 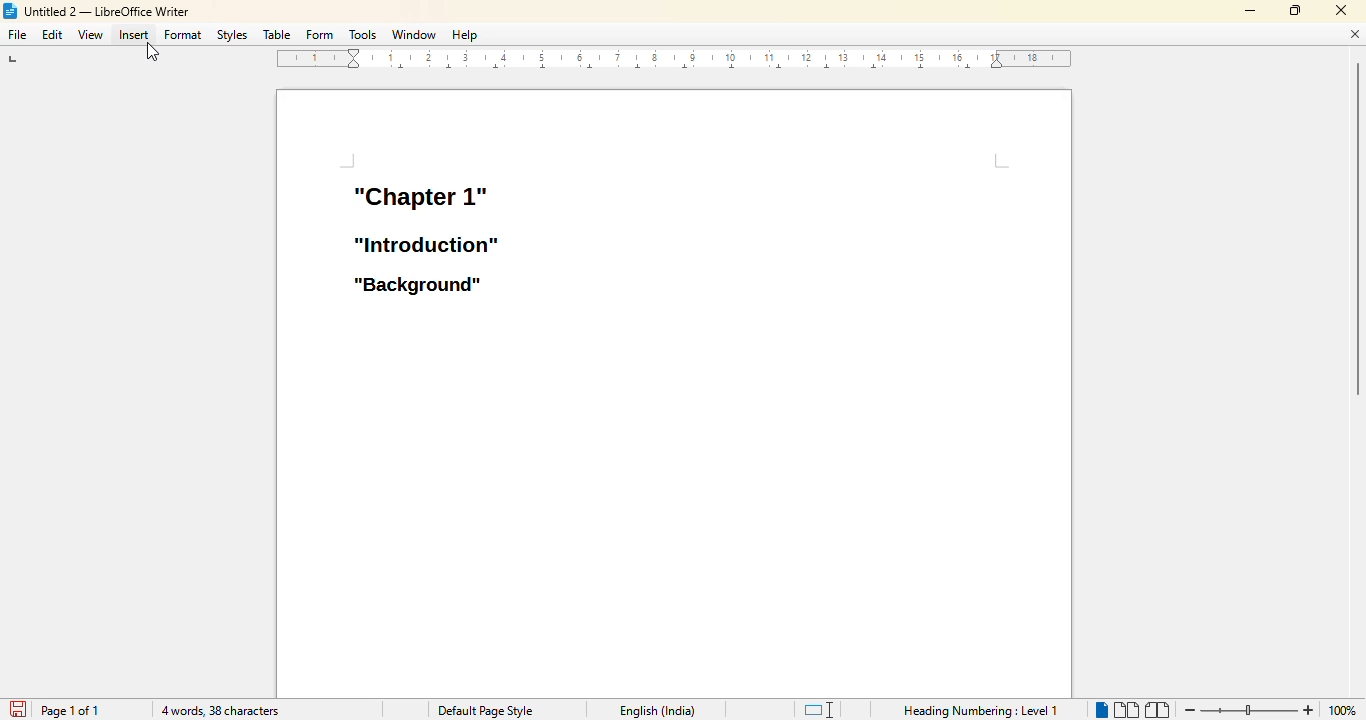 I want to click on 4 words, 38 characters, so click(x=220, y=711).